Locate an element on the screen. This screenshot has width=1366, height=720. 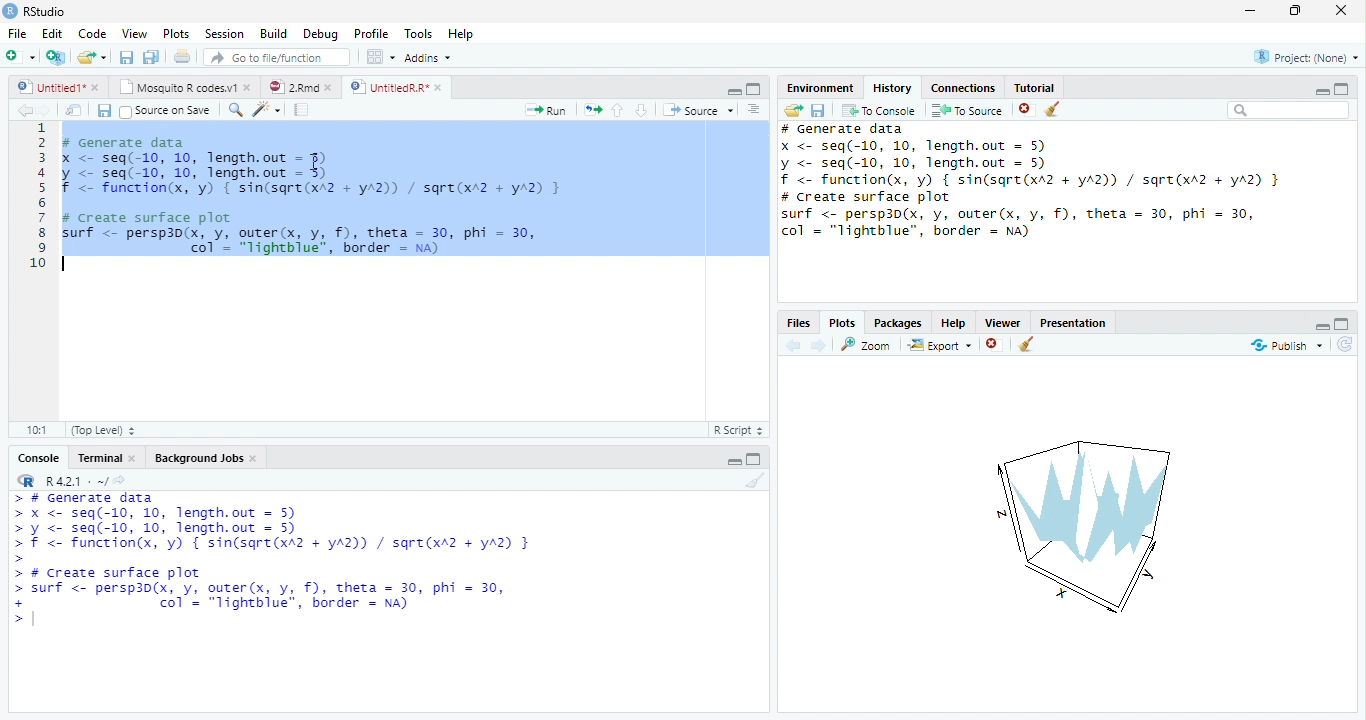
Clear all history entries is located at coordinates (1052, 109).